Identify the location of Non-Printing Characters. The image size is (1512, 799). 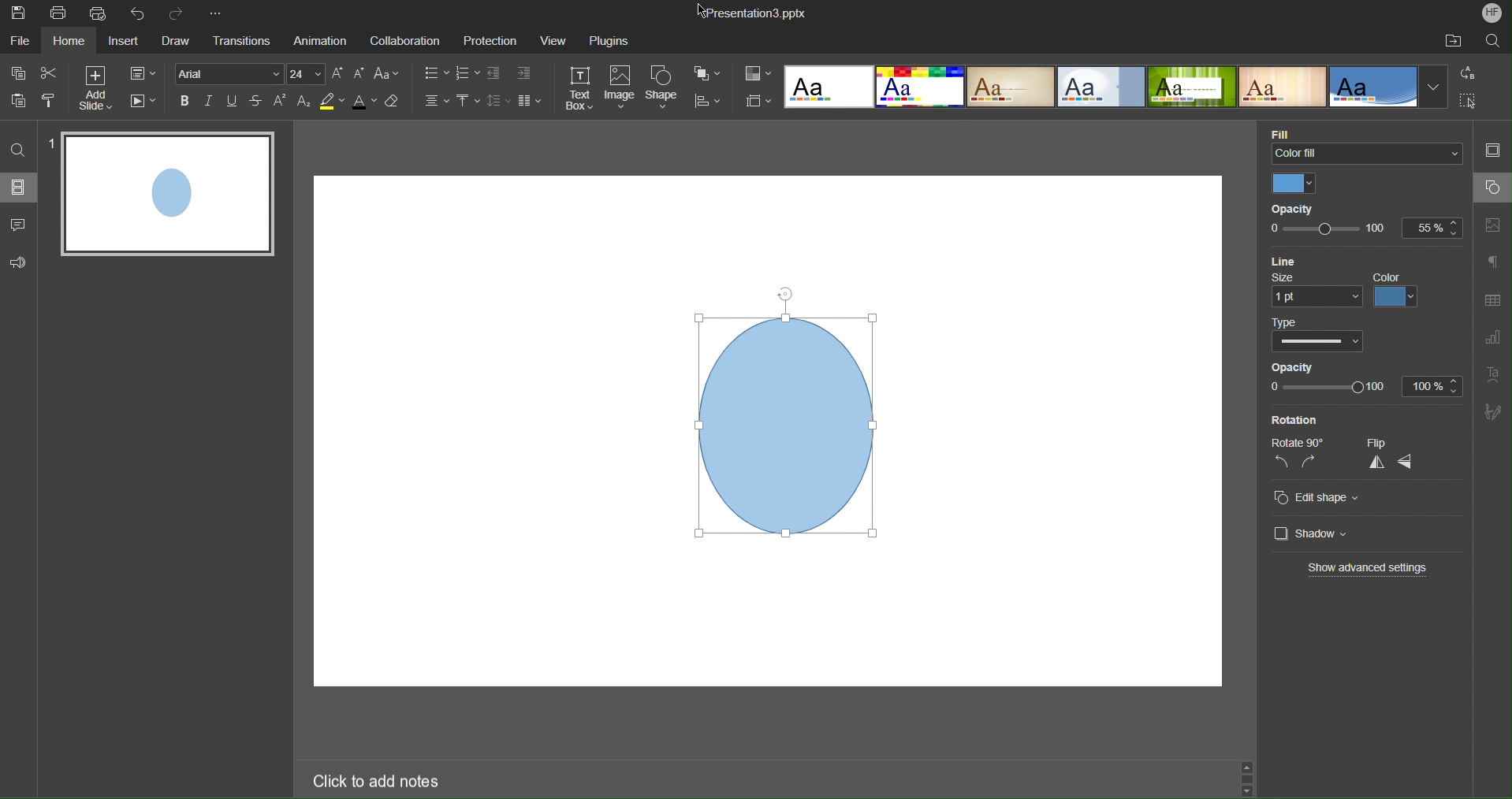
(1493, 263).